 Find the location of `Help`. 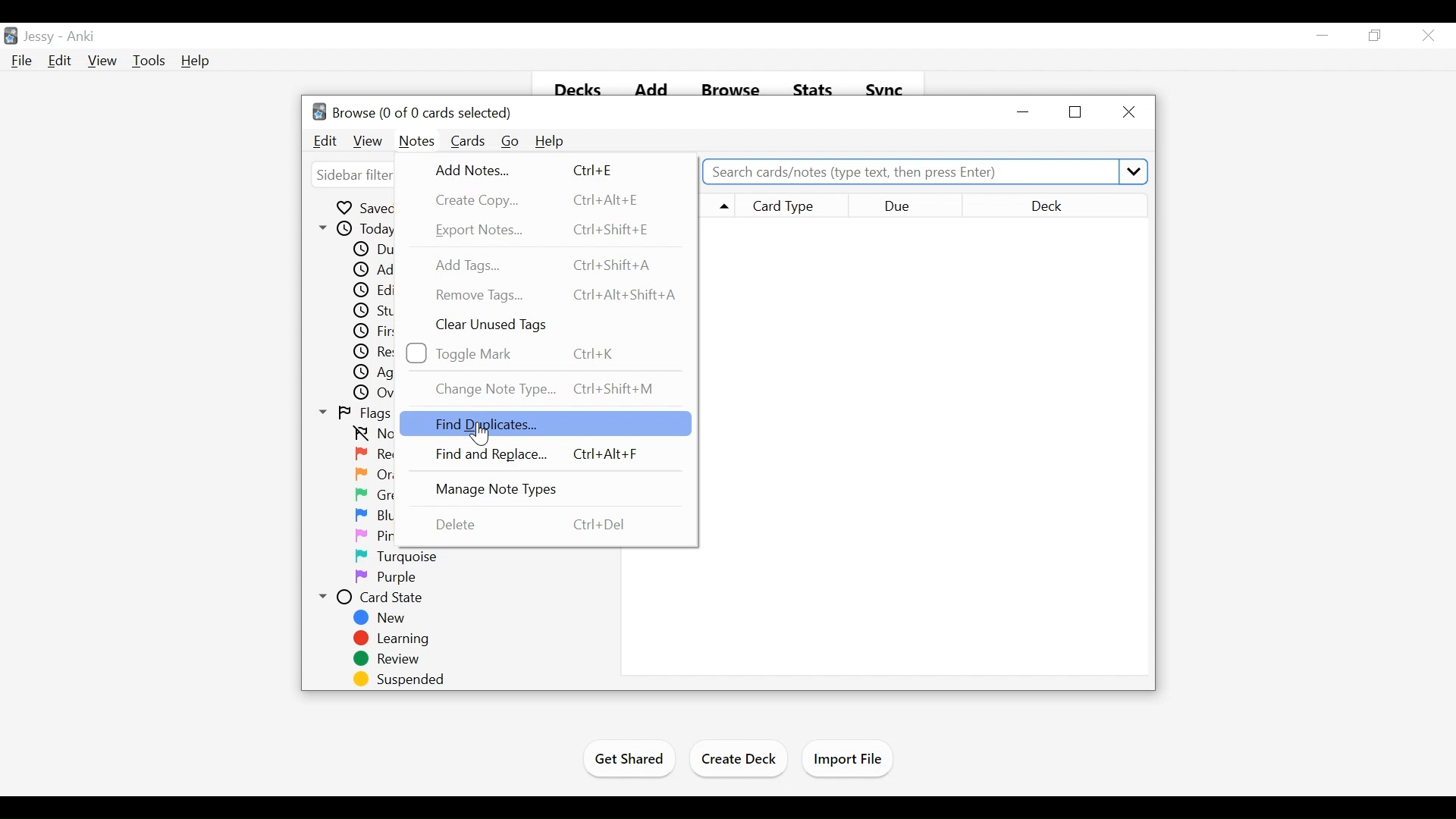

Help is located at coordinates (196, 61).